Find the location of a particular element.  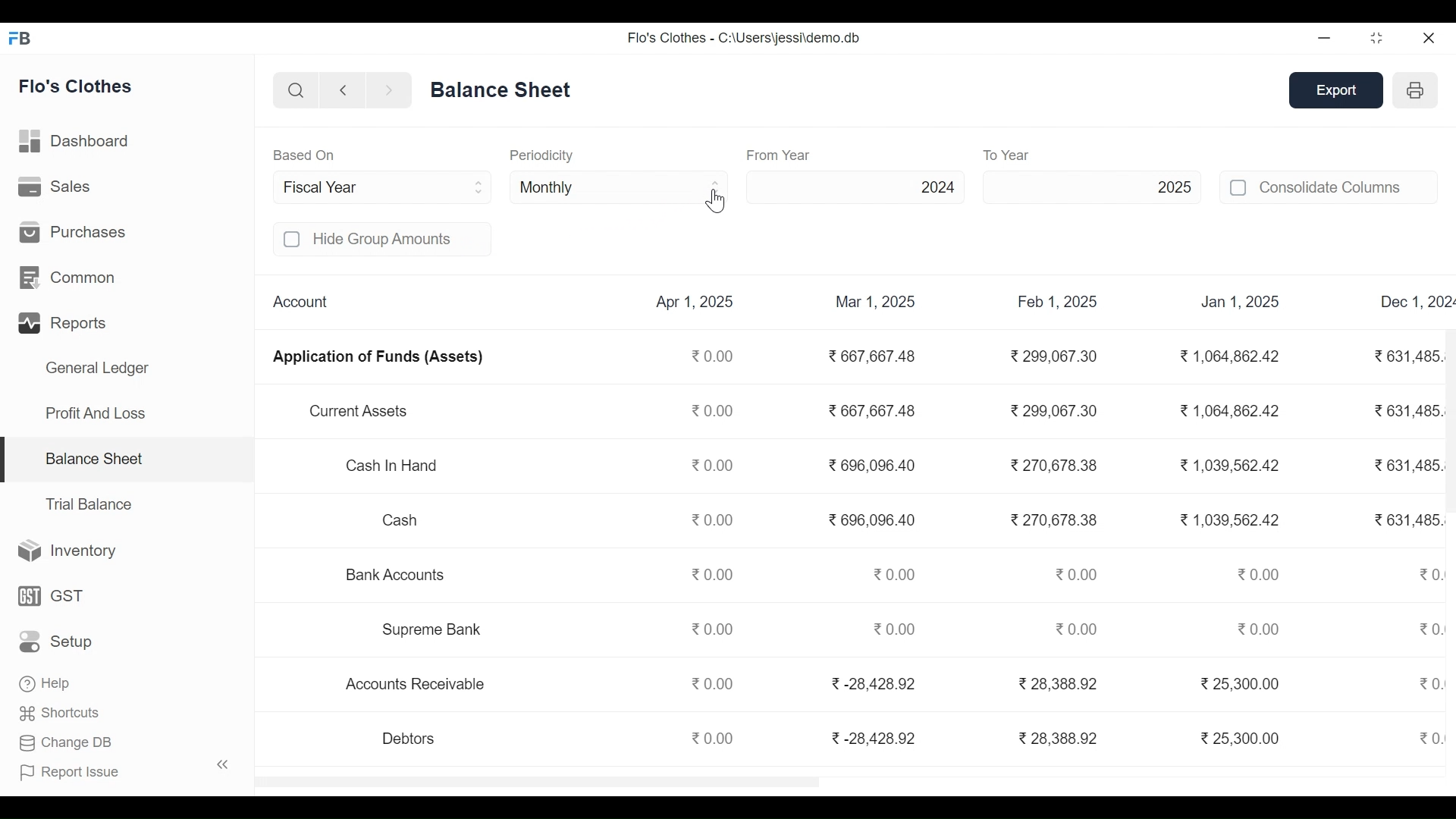

scrollbar is located at coordinates (537, 782).